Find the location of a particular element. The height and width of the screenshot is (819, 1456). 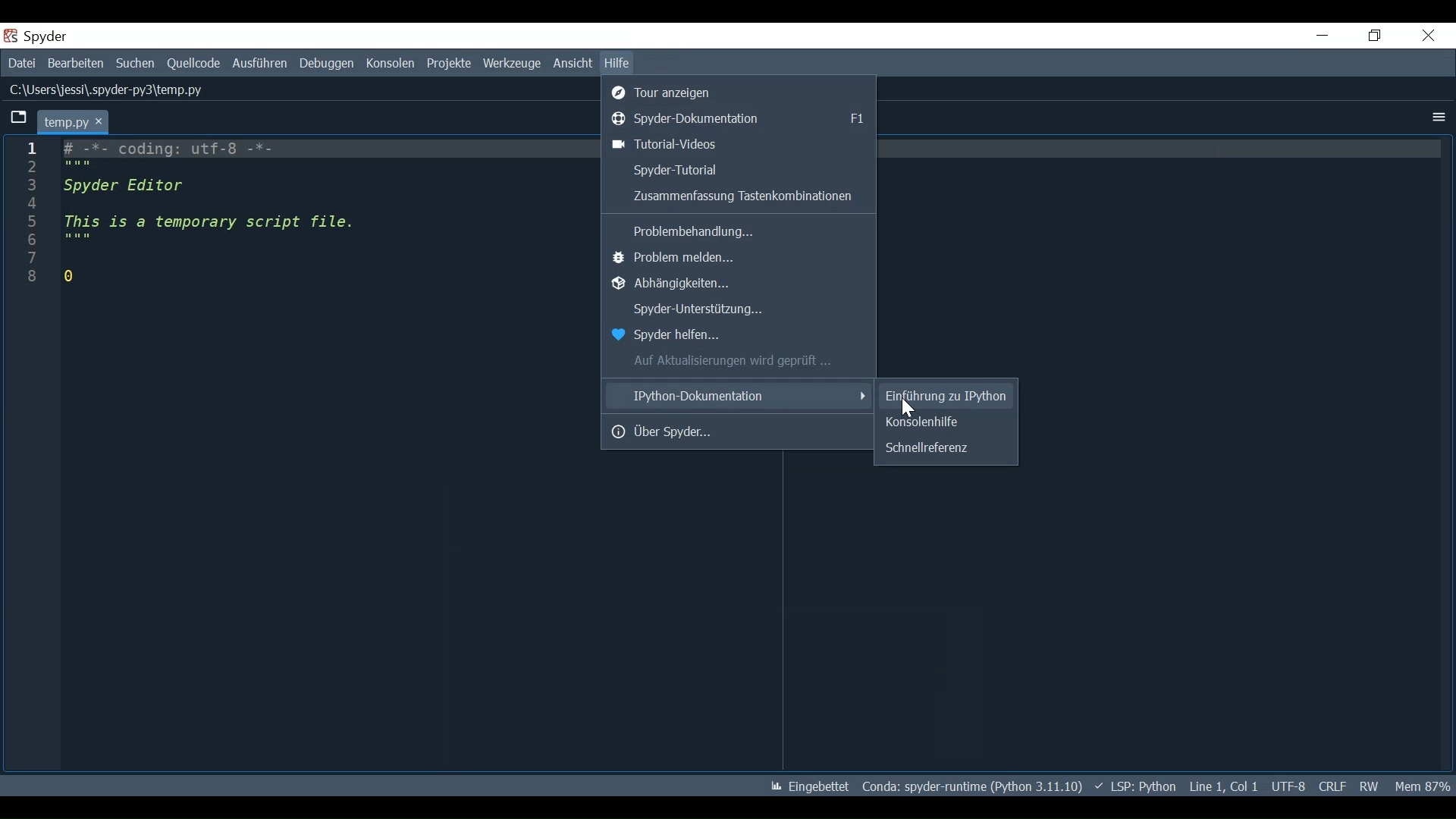

Source is located at coordinates (193, 64).